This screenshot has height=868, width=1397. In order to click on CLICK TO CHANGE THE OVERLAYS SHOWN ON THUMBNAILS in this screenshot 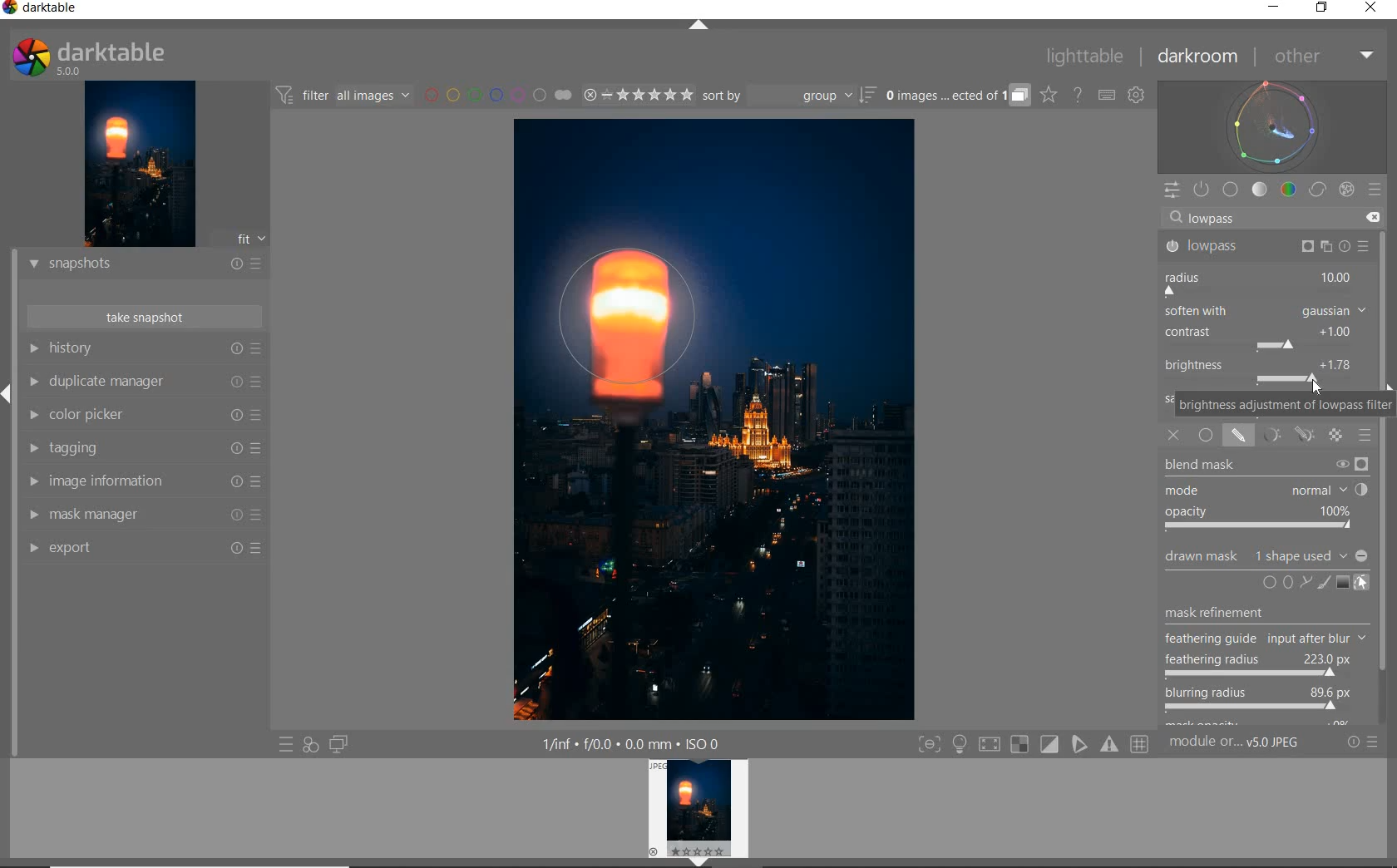, I will do `click(1048, 96)`.